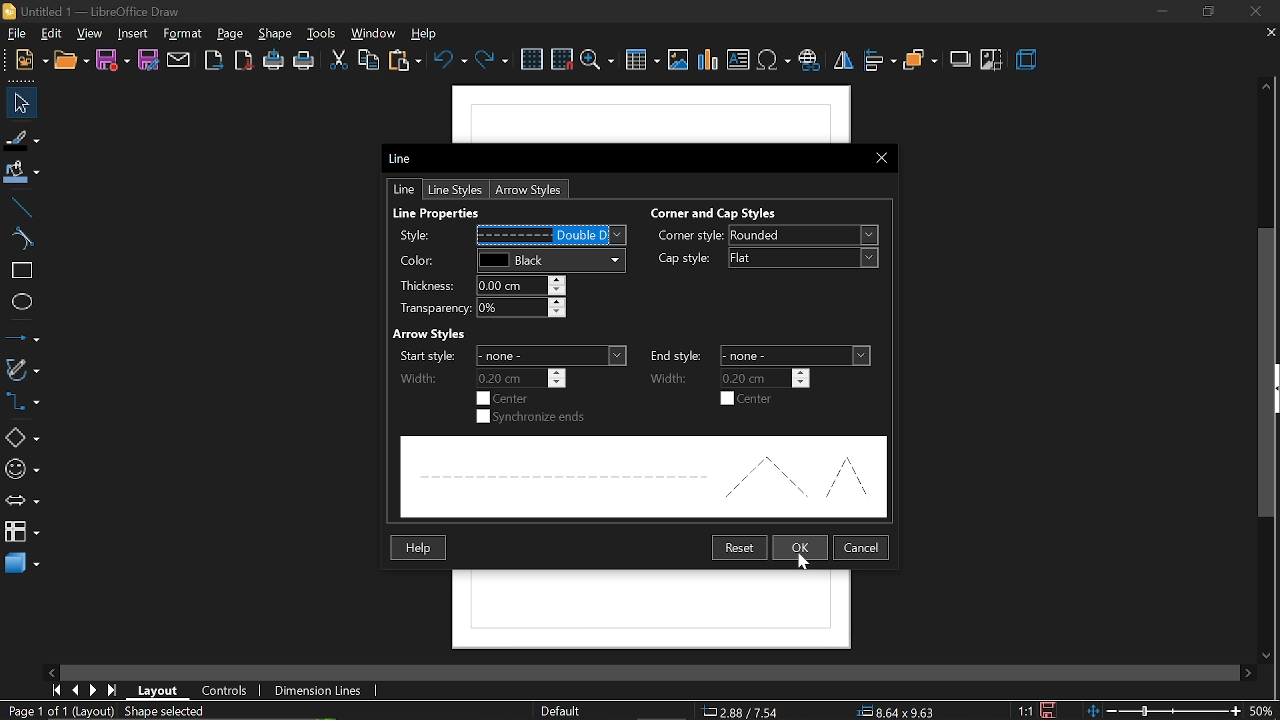  Describe the element at coordinates (1162, 12) in the screenshot. I see `minimize` at that location.